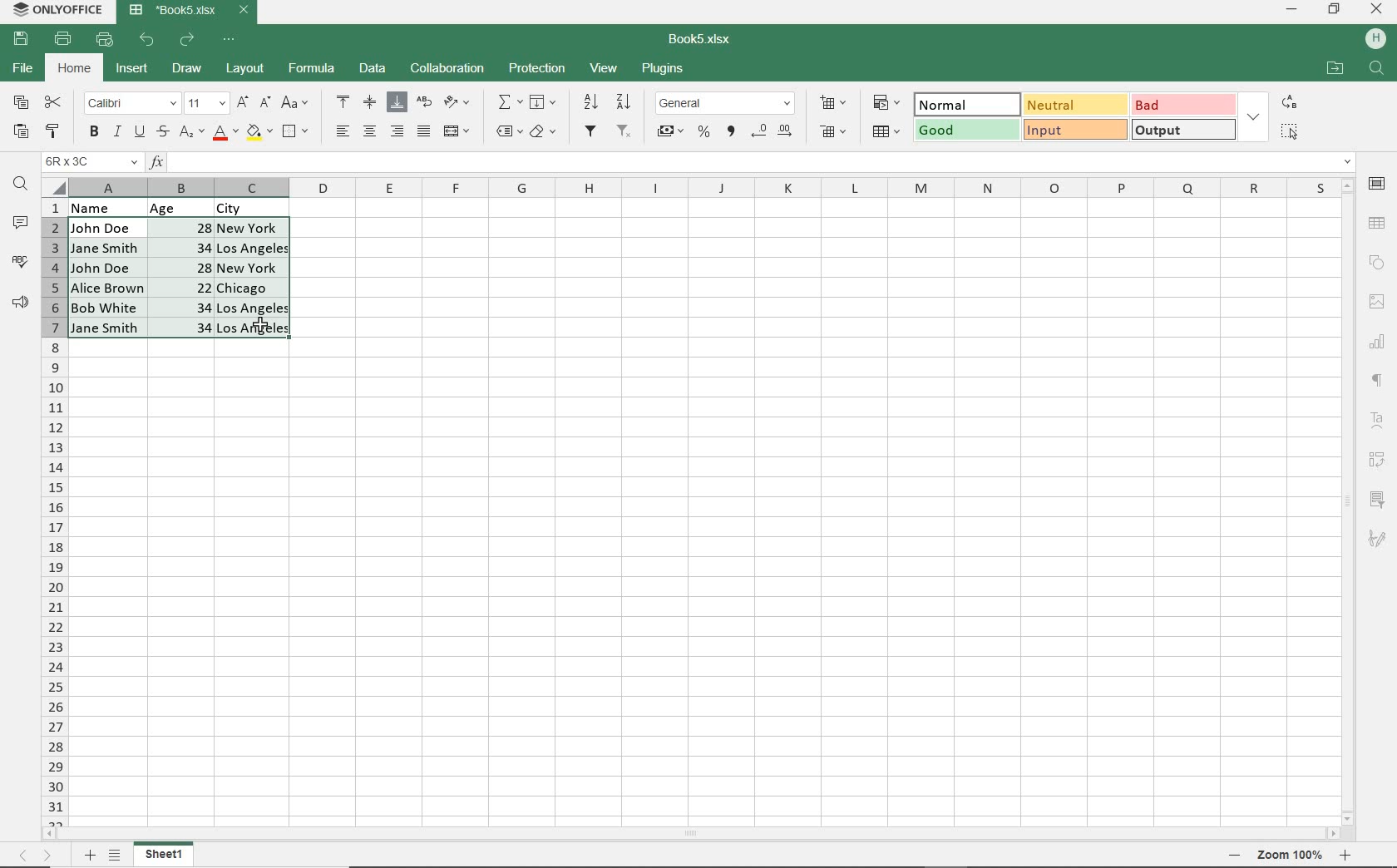  Describe the element at coordinates (703, 132) in the screenshot. I see `PERCENT STYLE` at that location.